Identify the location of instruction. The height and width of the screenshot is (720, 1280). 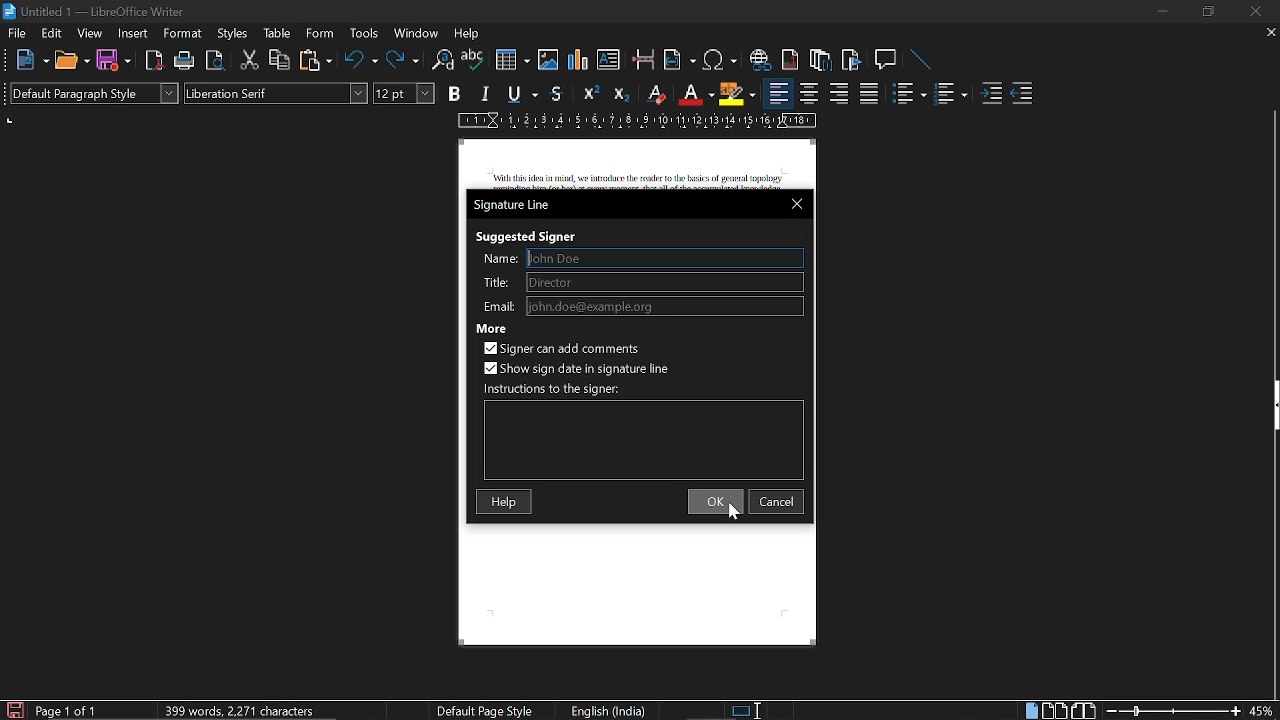
(644, 441).